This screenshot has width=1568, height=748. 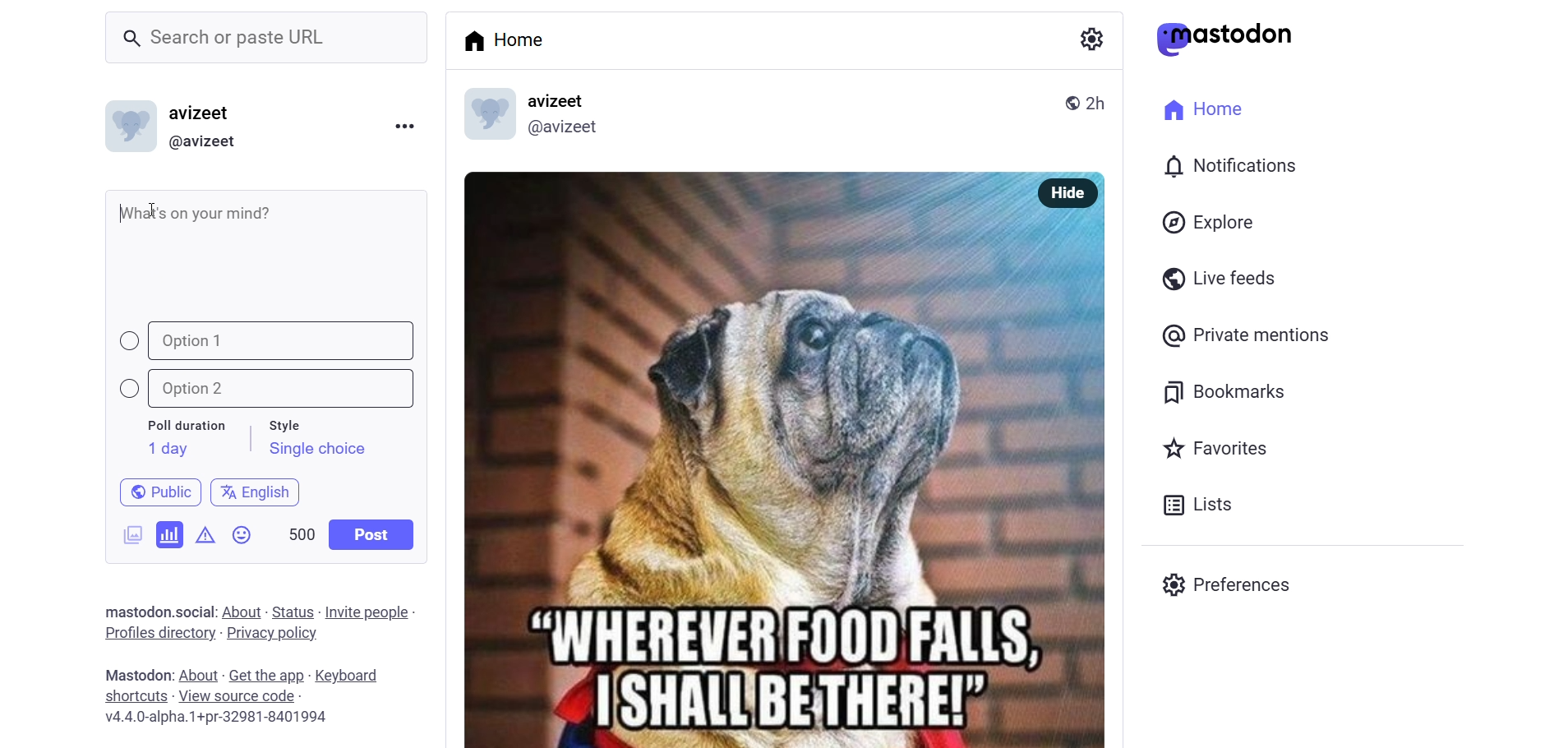 I want to click on 500, so click(x=300, y=531).